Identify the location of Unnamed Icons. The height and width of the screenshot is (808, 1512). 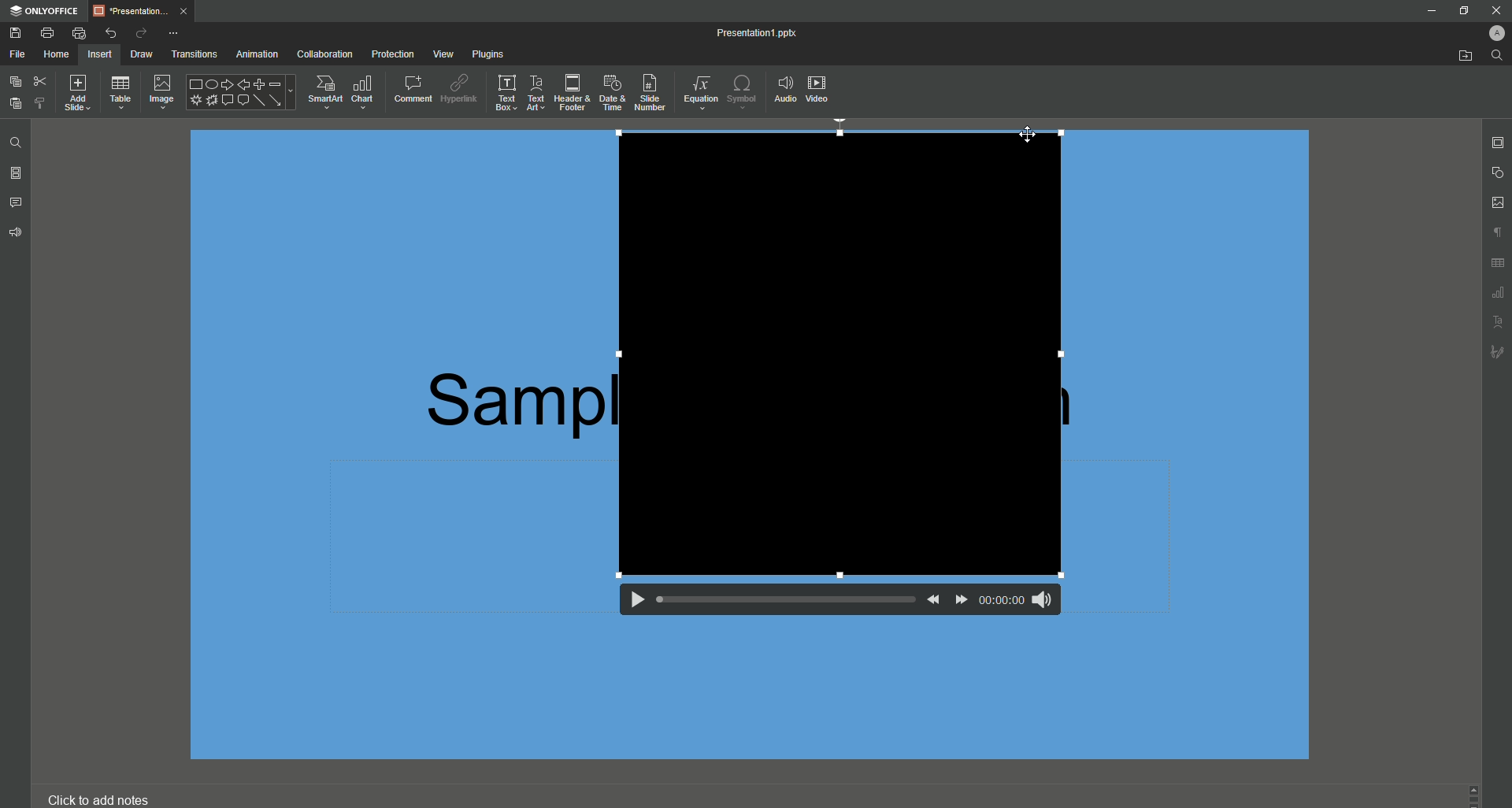
(1494, 295).